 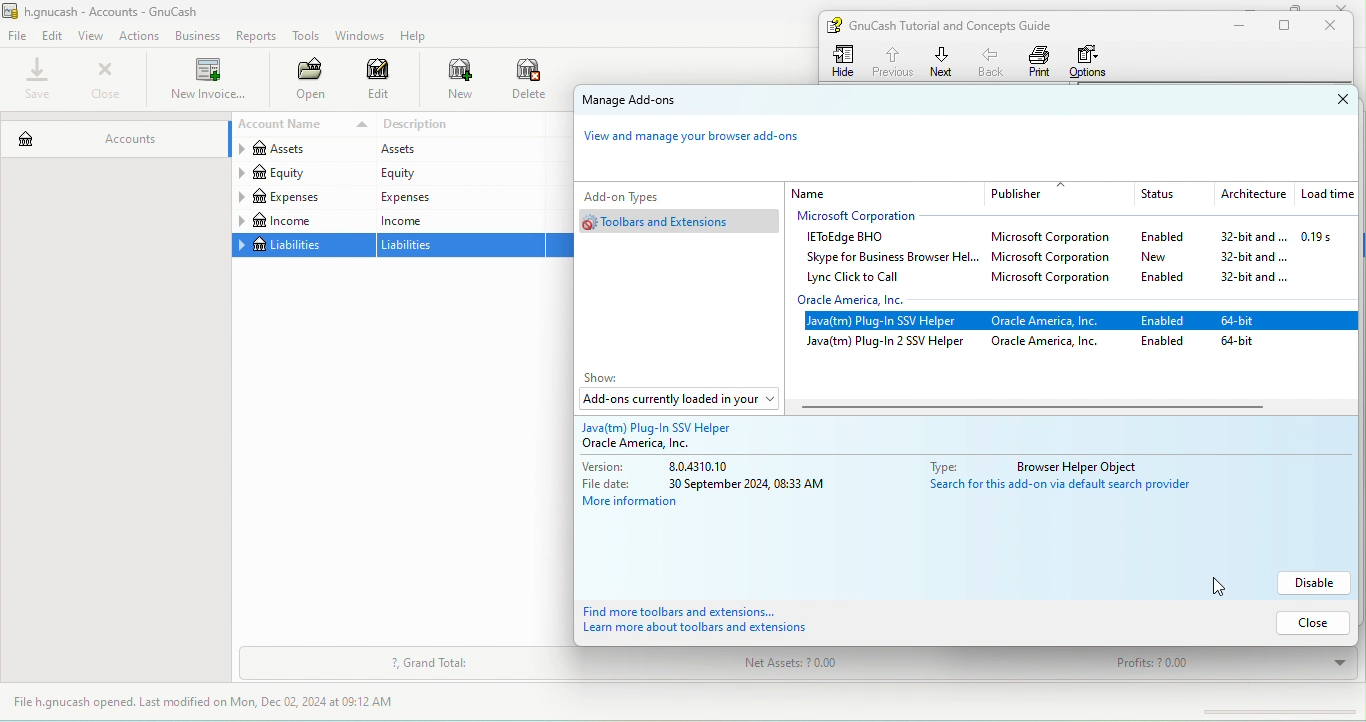 I want to click on 32 bit and, so click(x=1246, y=237).